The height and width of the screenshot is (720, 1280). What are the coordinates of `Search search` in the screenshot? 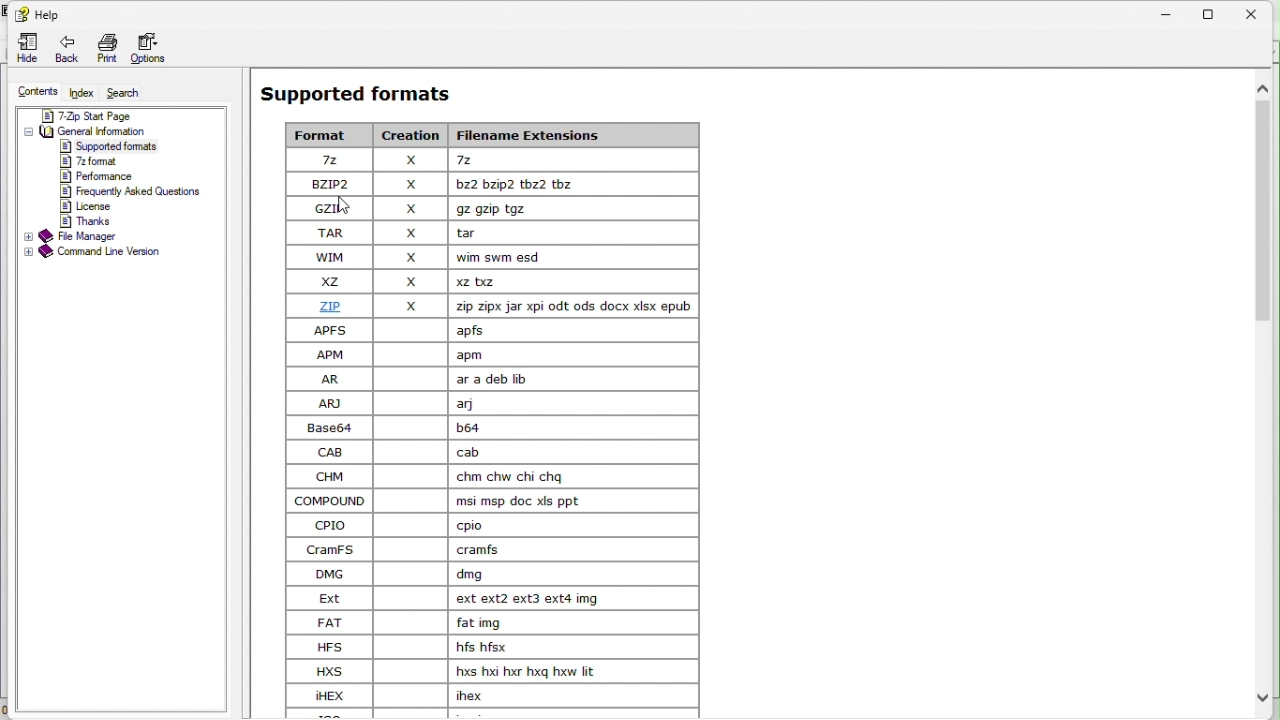 It's located at (131, 92).